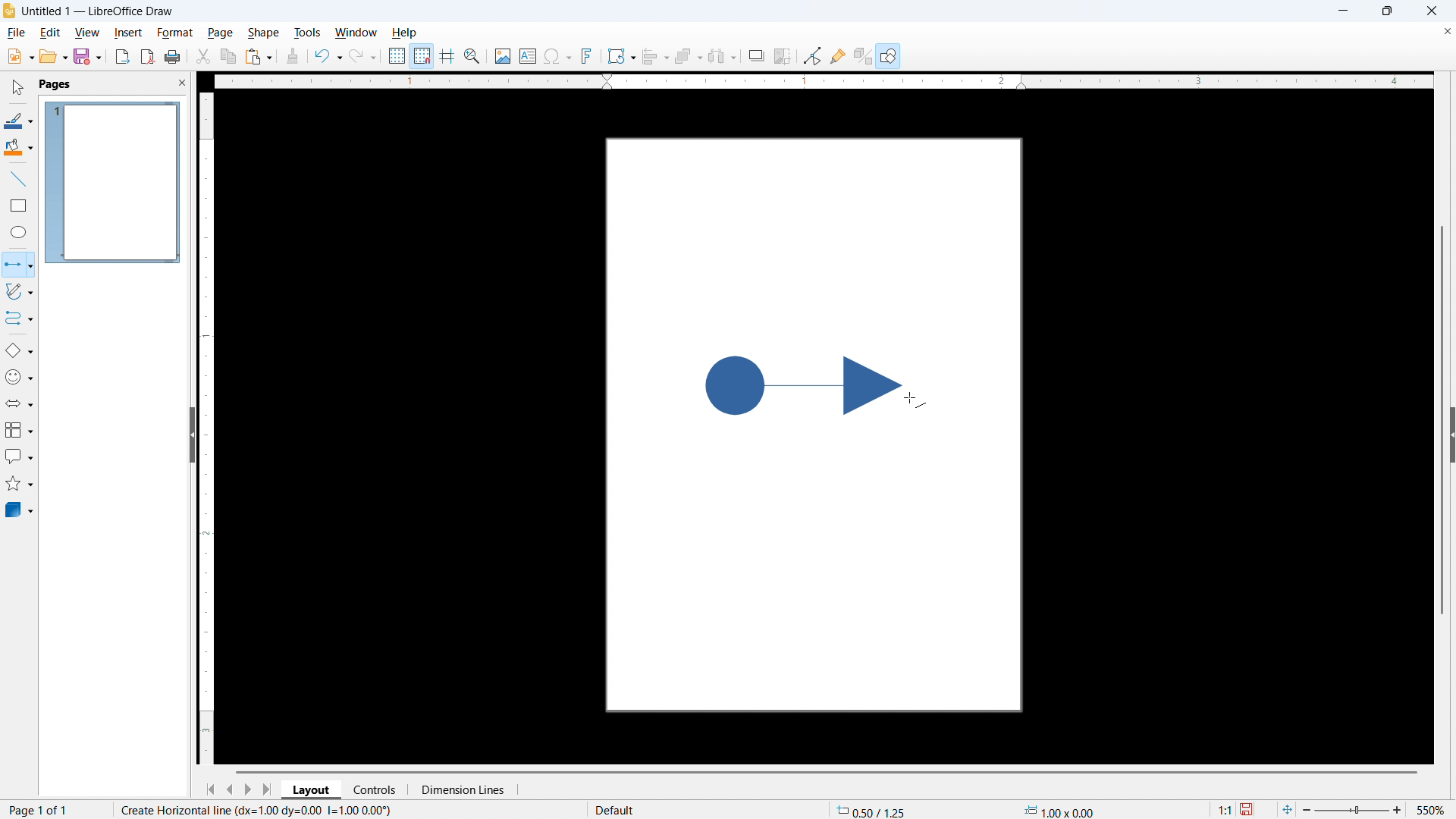 This screenshot has width=1456, height=819. Describe the element at coordinates (19, 180) in the screenshot. I see `Line ` at that location.